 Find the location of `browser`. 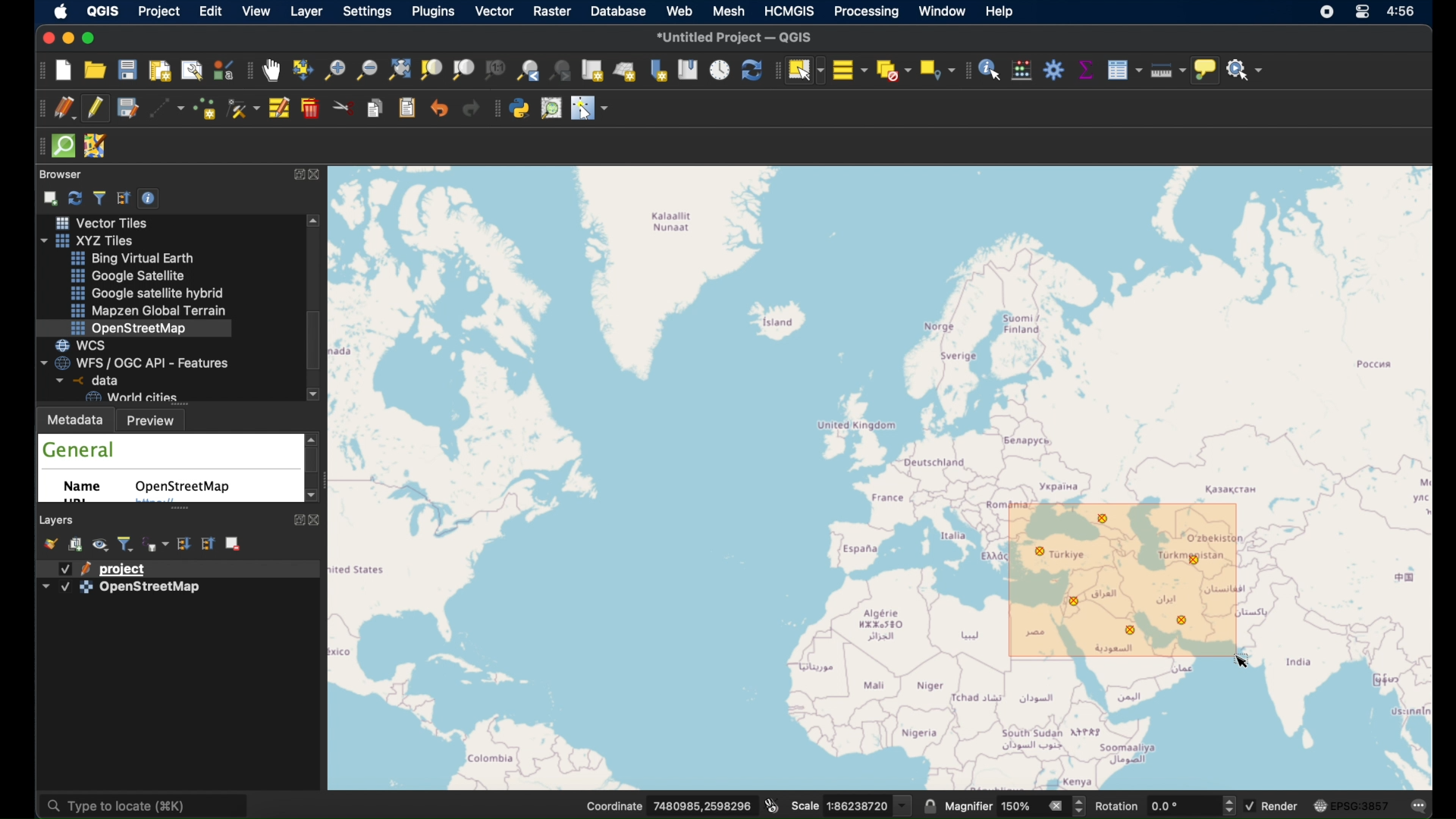

browser is located at coordinates (61, 174).